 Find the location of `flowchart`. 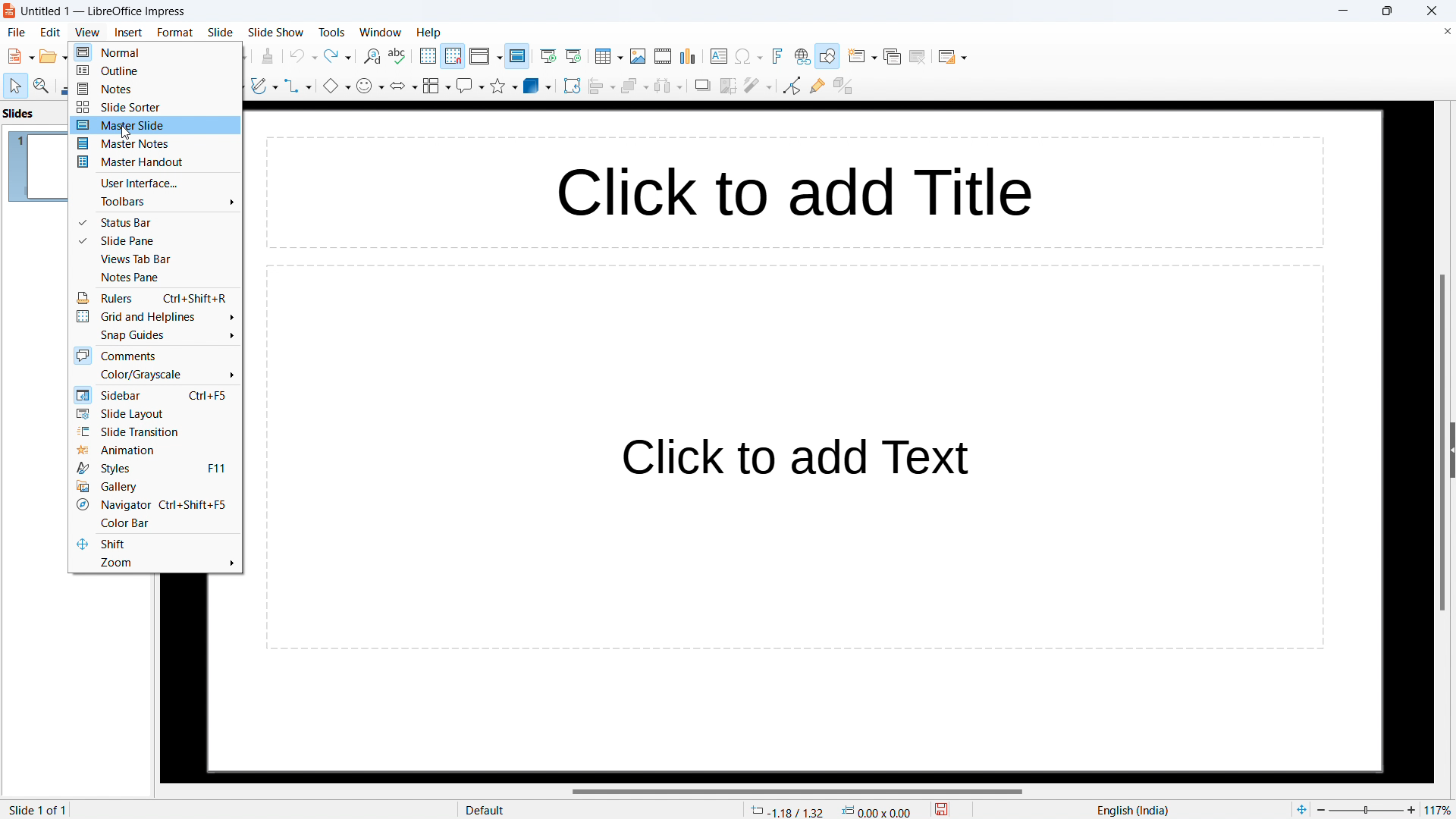

flowchart is located at coordinates (437, 86).